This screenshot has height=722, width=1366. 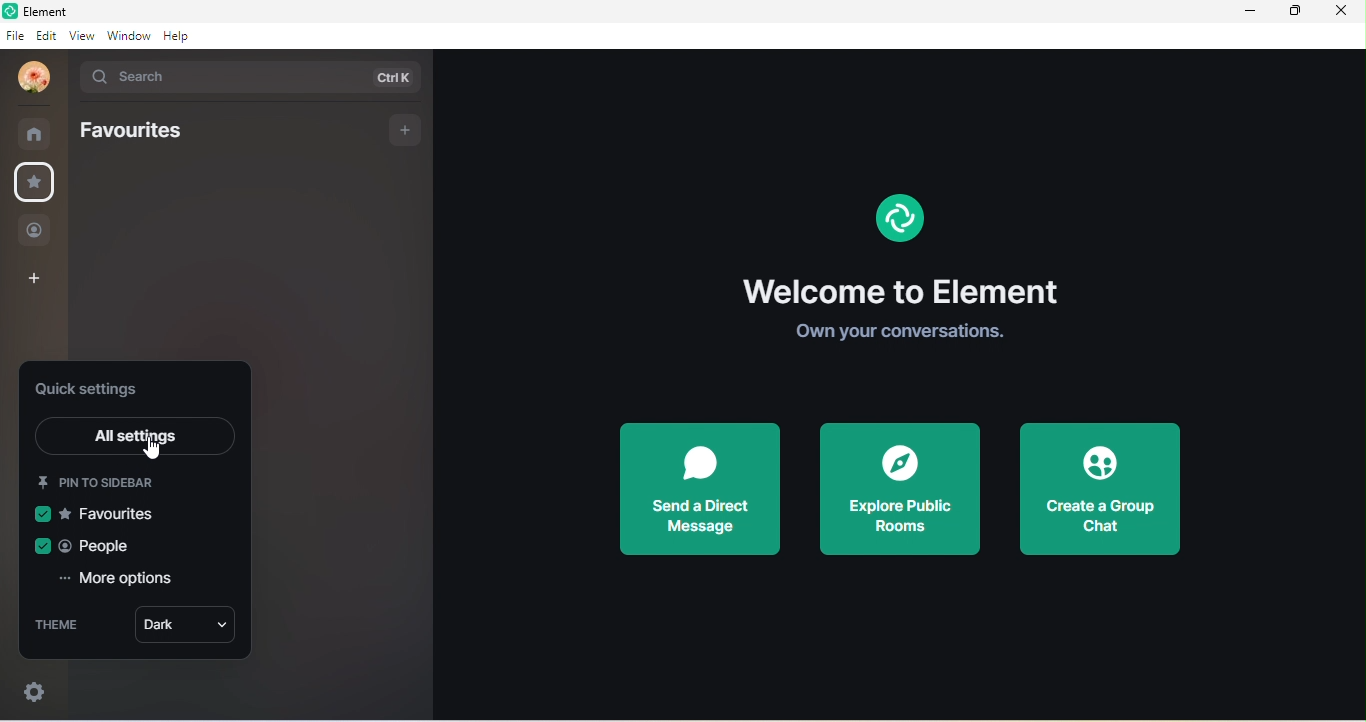 What do you see at coordinates (706, 492) in the screenshot?
I see `send a direct message` at bounding box center [706, 492].